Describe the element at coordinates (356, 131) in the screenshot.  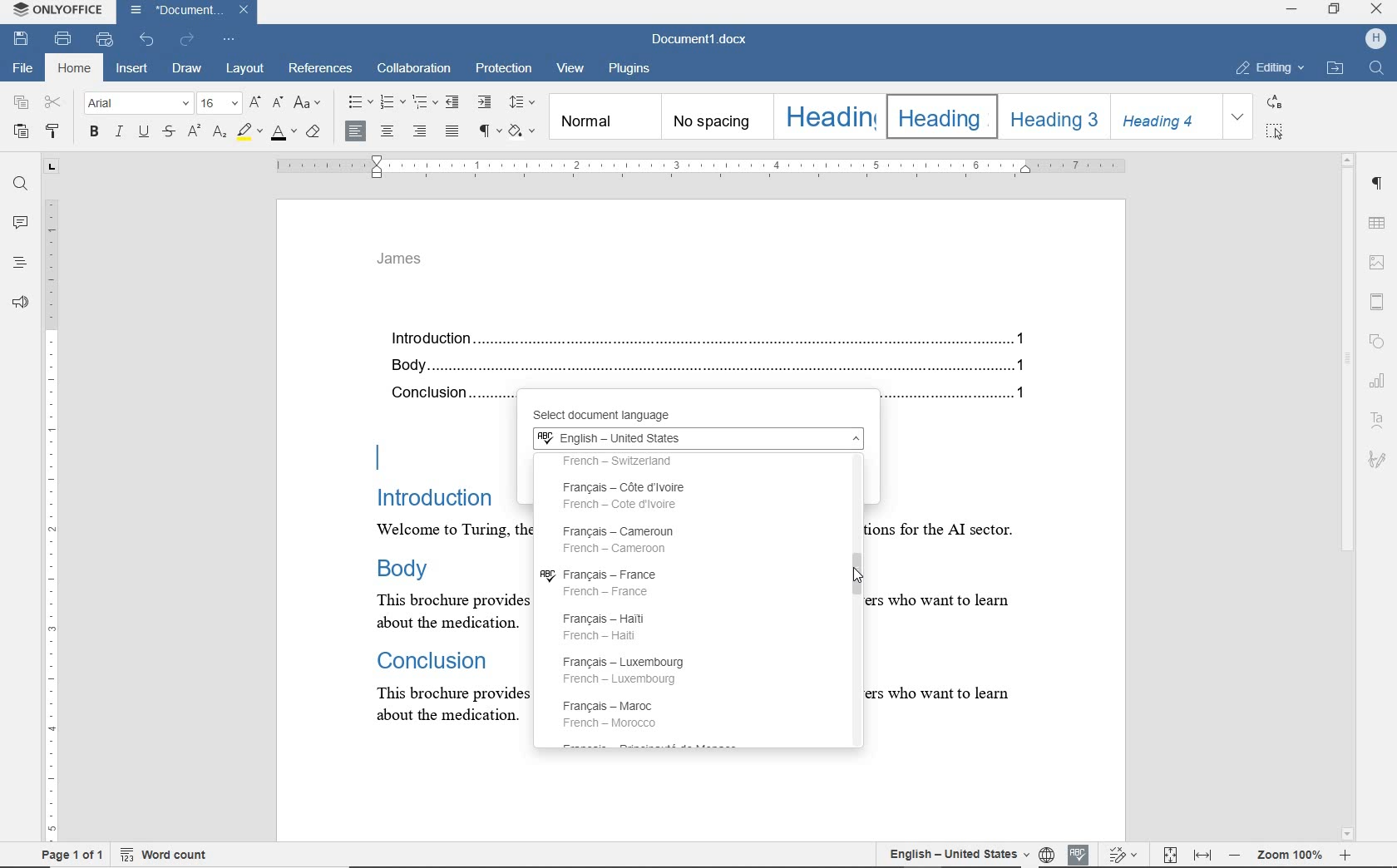
I see `align left` at that location.